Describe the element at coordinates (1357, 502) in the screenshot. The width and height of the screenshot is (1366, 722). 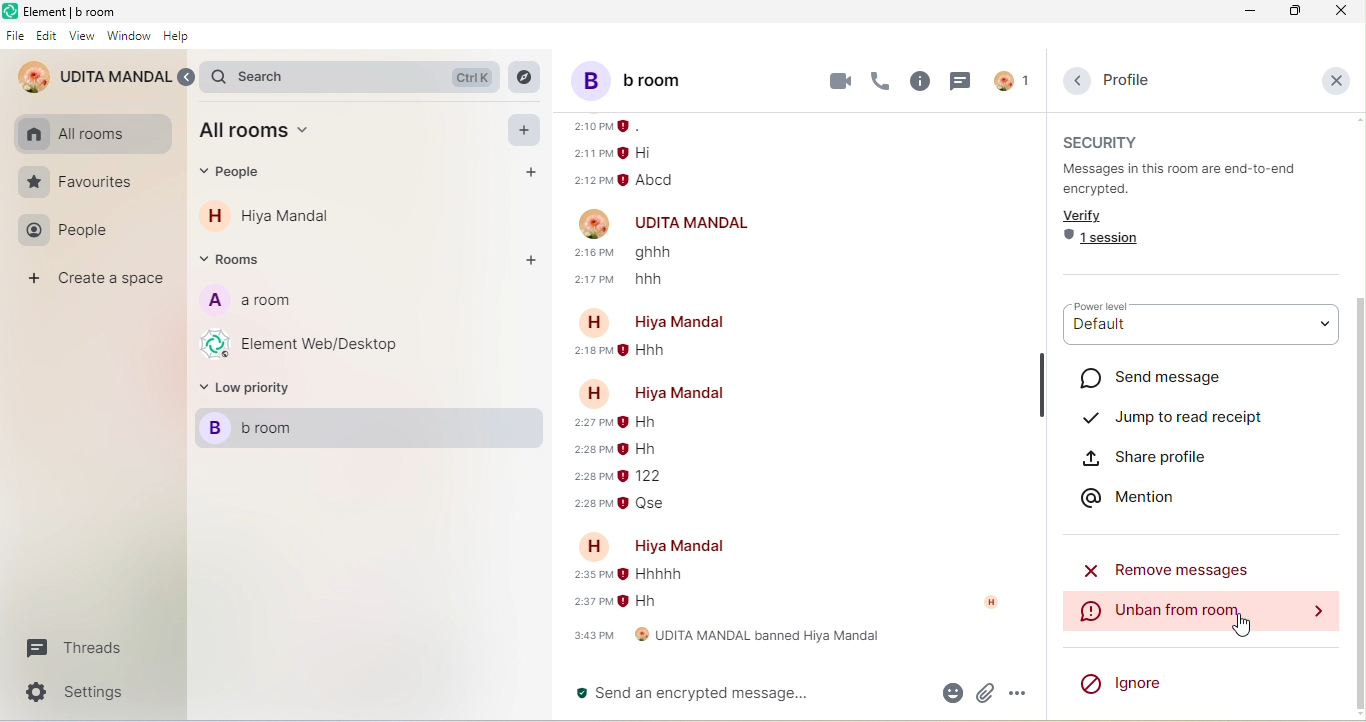
I see `scroll down` at that location.